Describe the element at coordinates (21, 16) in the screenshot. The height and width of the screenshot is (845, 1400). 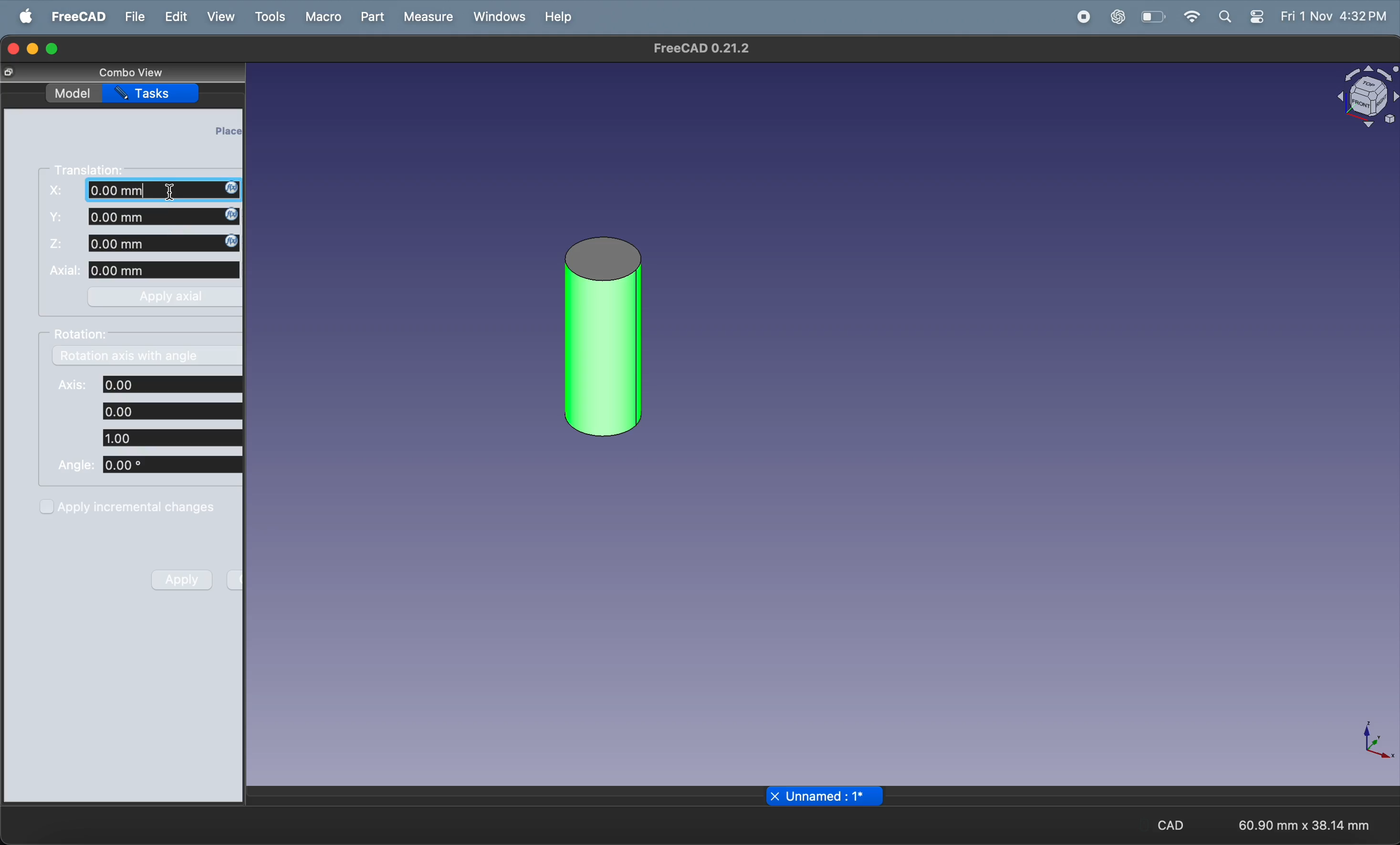
I see `apple menu` at that location.